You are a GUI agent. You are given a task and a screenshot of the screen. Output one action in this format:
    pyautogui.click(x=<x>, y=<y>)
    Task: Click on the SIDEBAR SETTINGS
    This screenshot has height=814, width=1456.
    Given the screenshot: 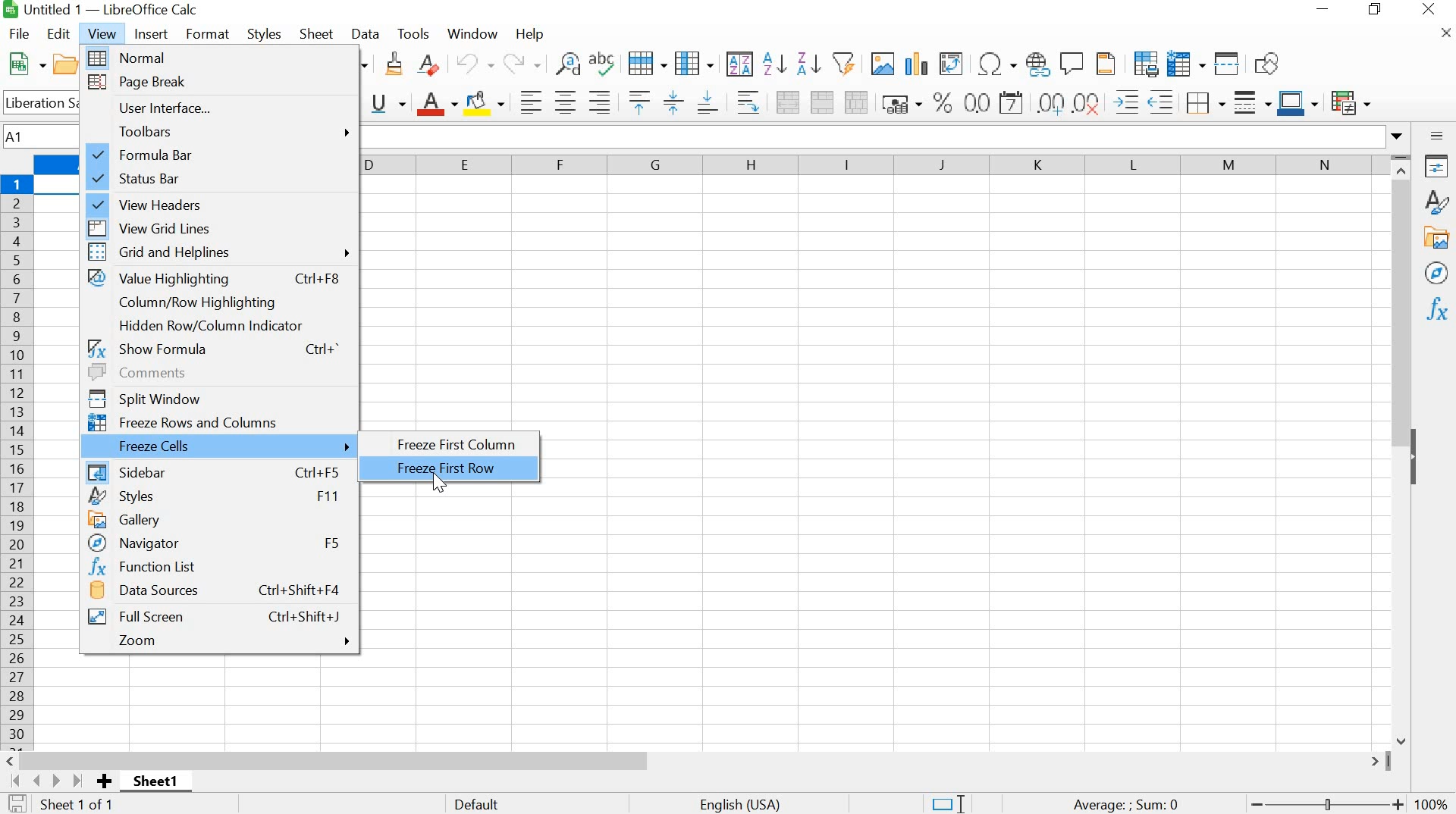 What is the action you would take?
    pyautogui.click(x=1437, y=136)
    